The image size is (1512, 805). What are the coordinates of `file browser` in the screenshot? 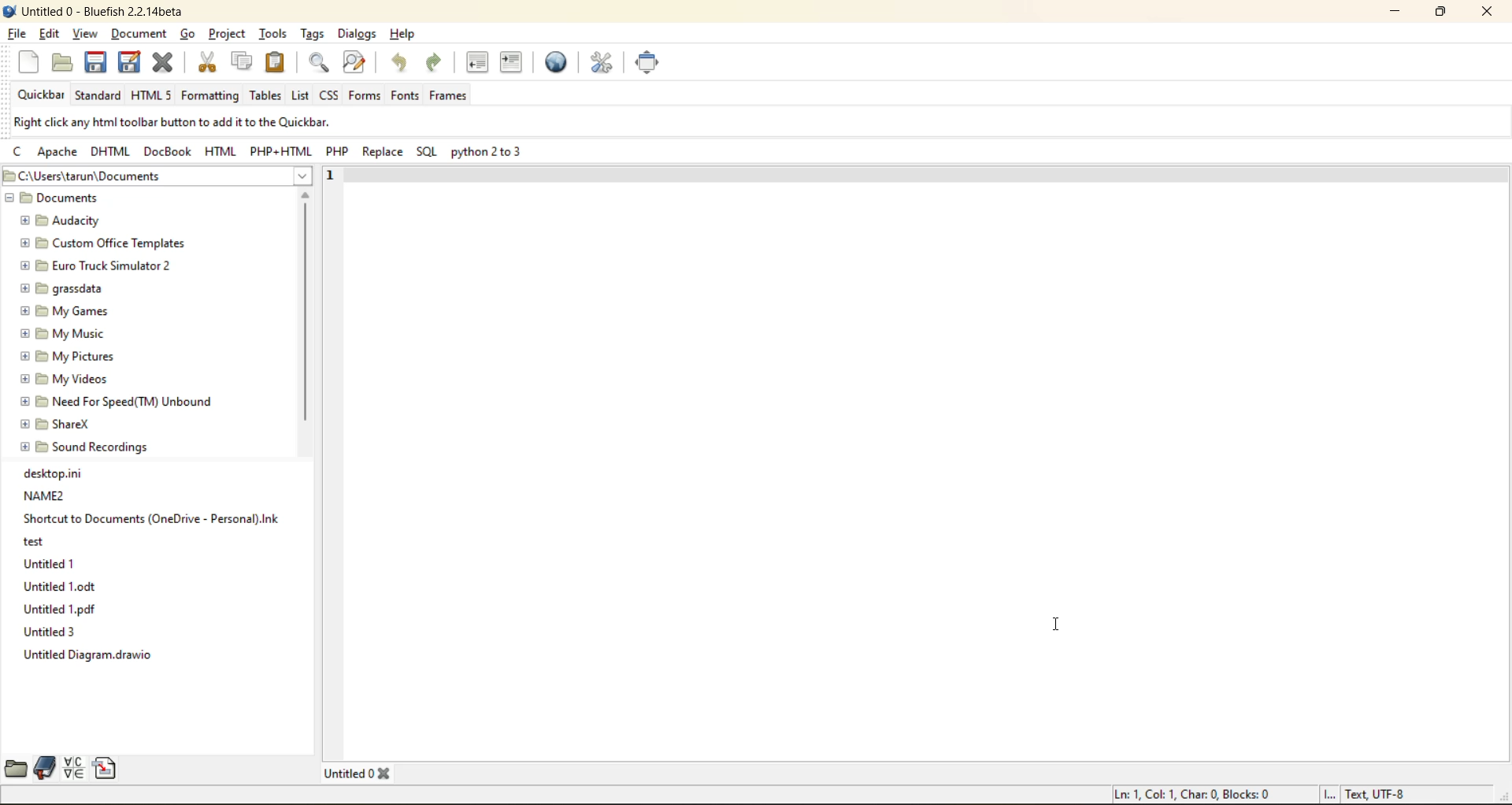 It's located at (13, 770).